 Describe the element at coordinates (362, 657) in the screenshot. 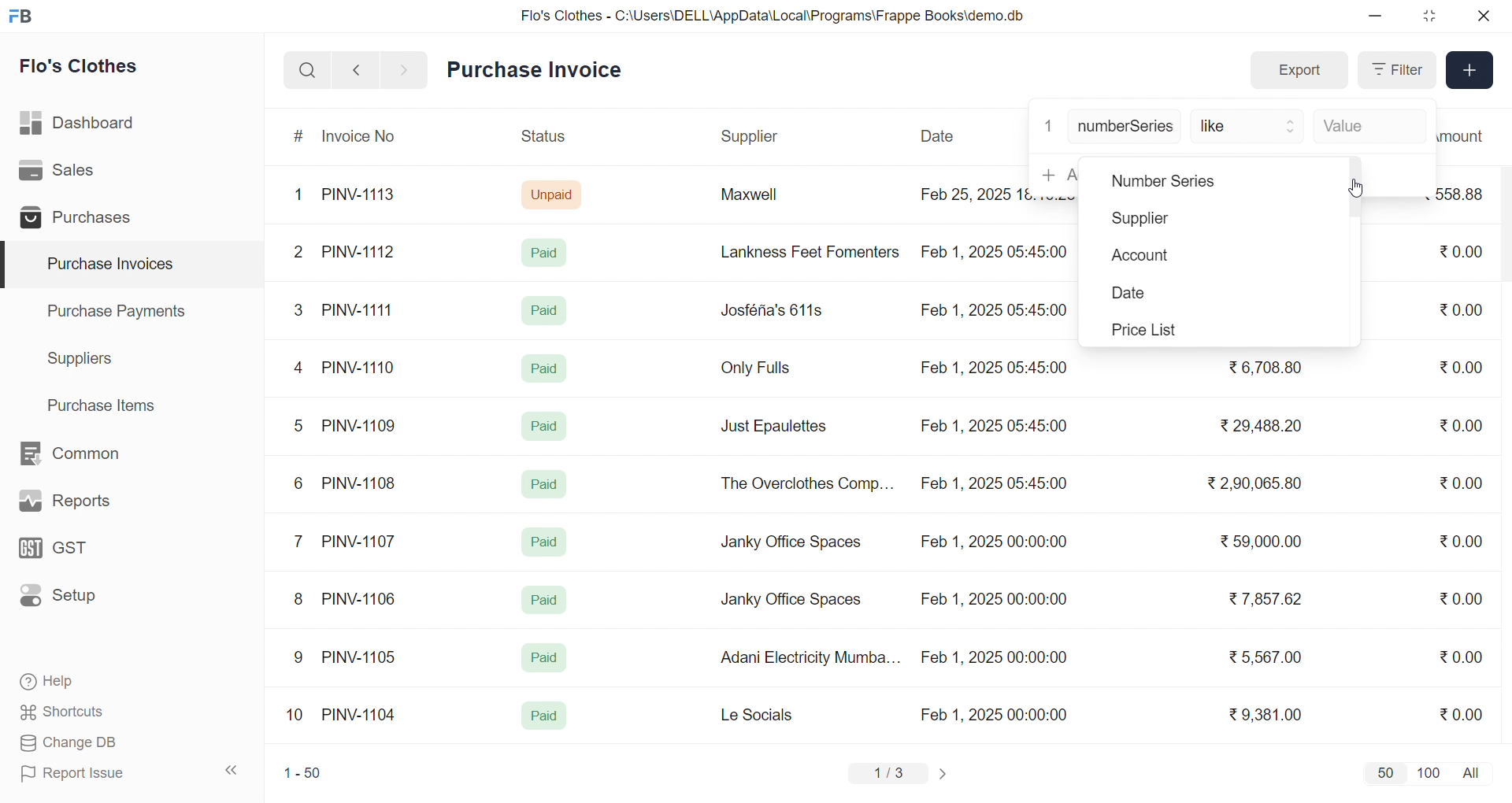

I see `PINV-1105` at that location.